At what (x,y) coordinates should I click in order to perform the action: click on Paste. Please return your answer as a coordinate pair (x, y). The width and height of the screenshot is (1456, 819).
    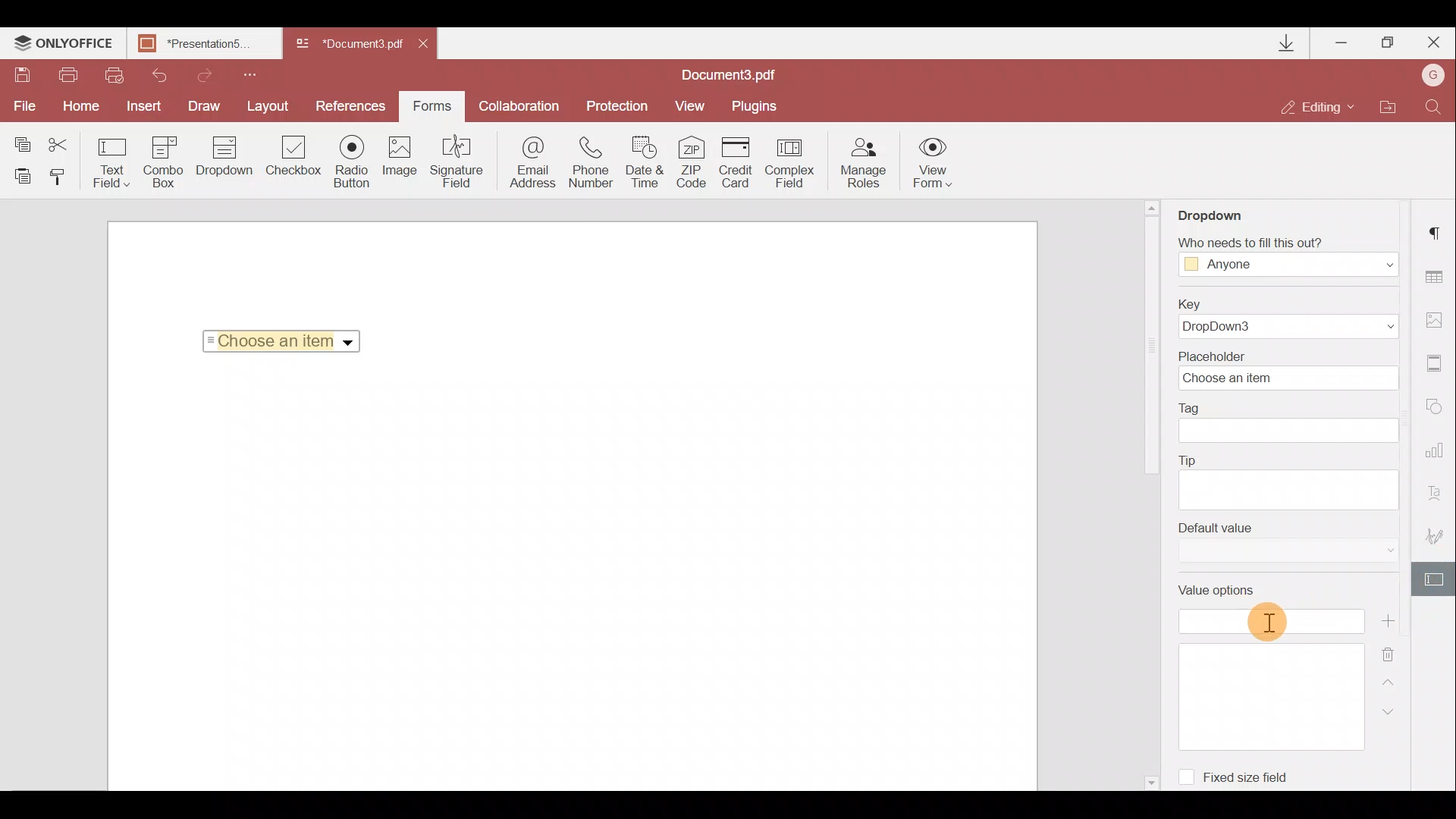
    Looking at the image, I should click on (21, 178).